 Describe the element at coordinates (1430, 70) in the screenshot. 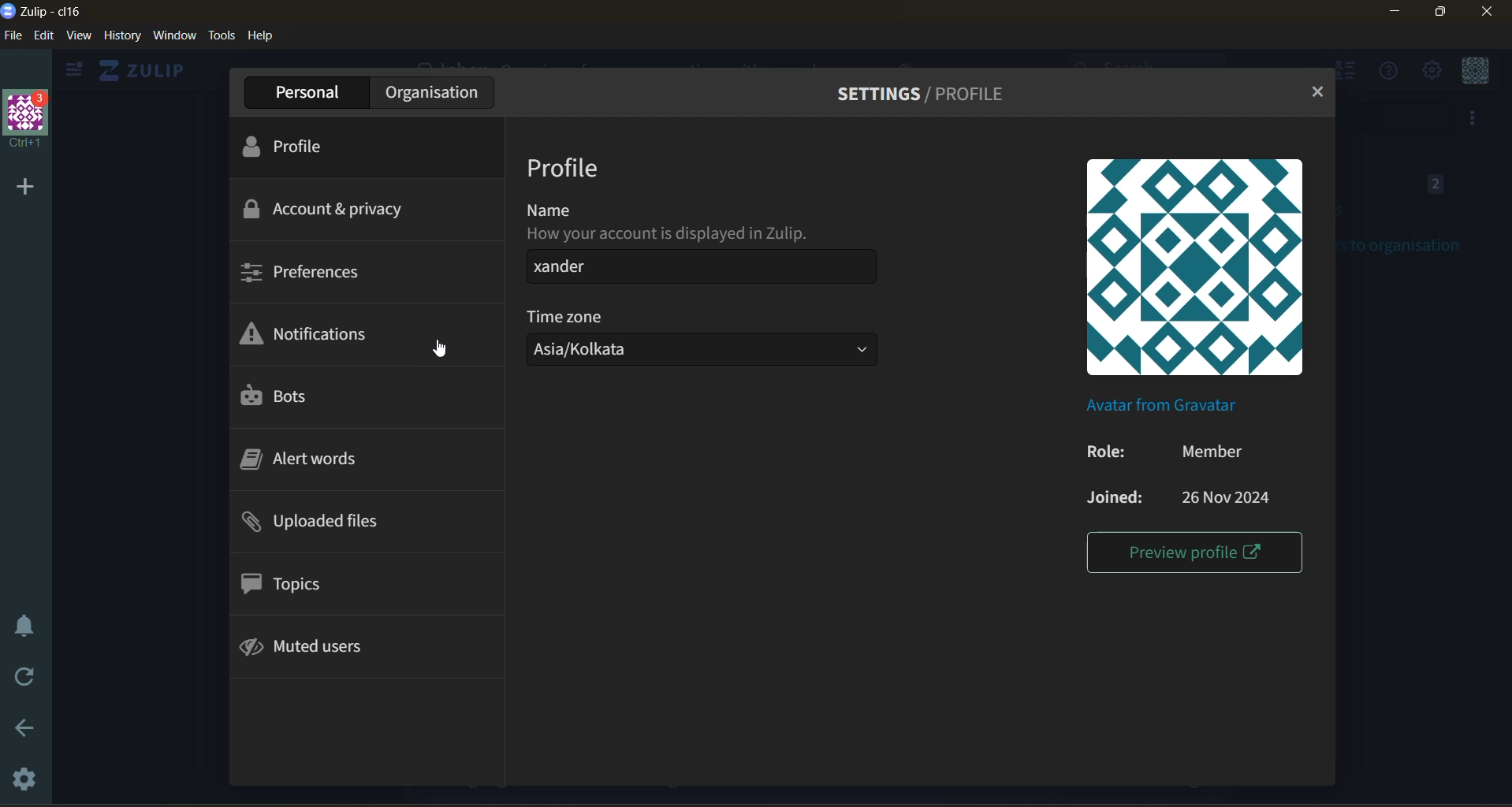

I see `settings menu` at that location.